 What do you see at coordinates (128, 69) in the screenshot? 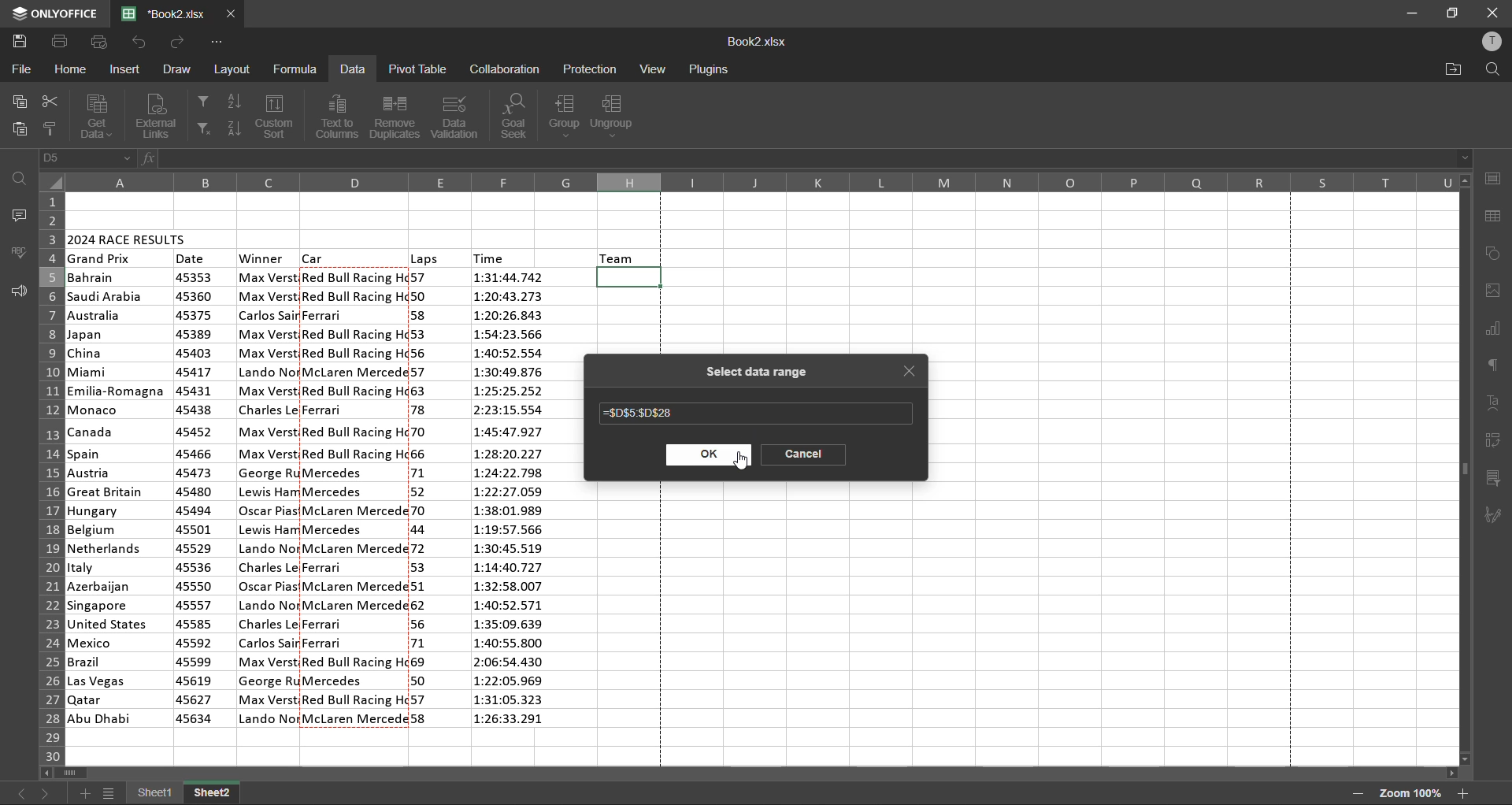
I see `insert` at bounding box center [128, 69].